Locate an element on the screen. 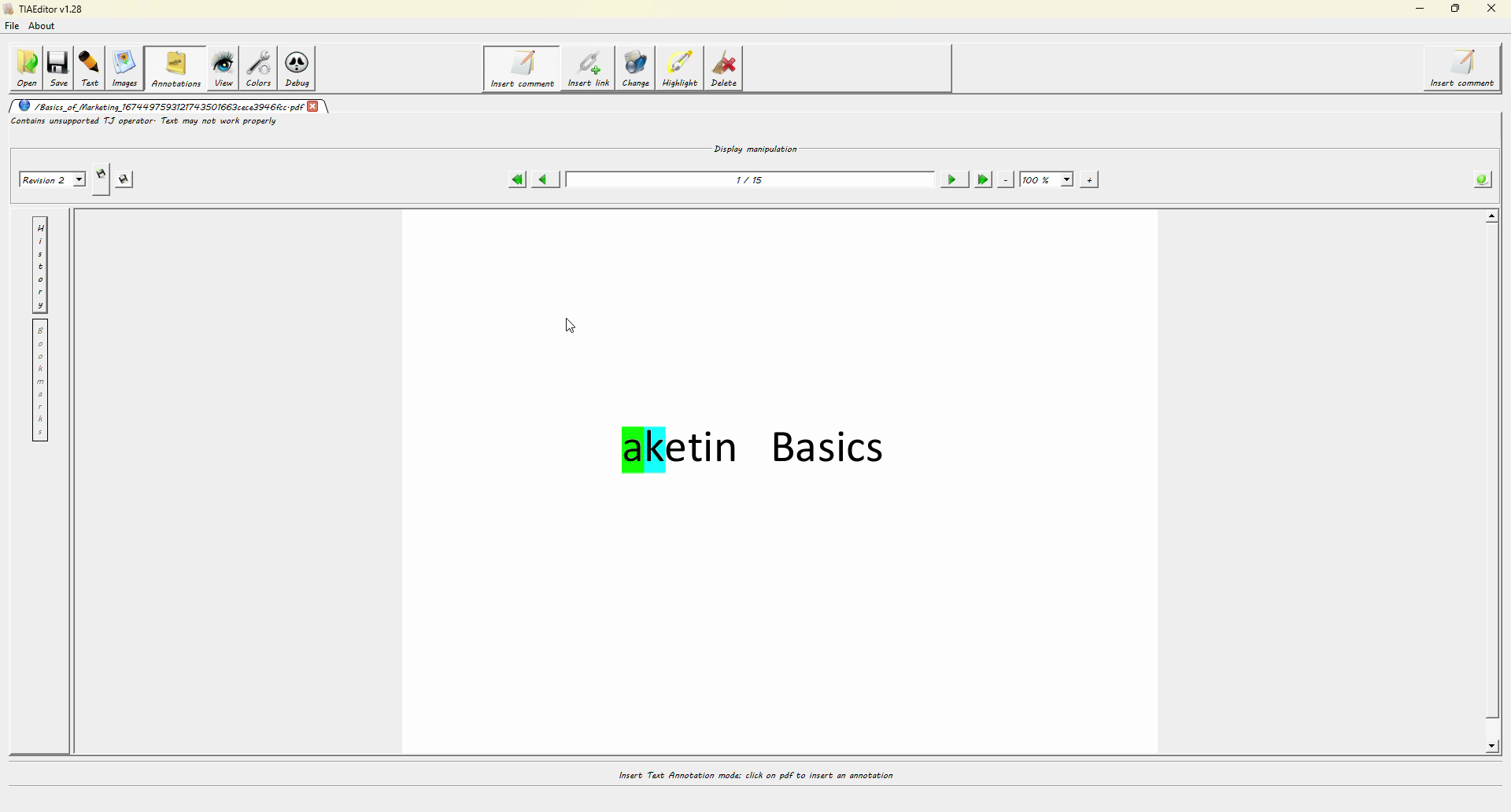 This screenshot has height=812, width=1511. annotations is located at coordinates (176, 68).